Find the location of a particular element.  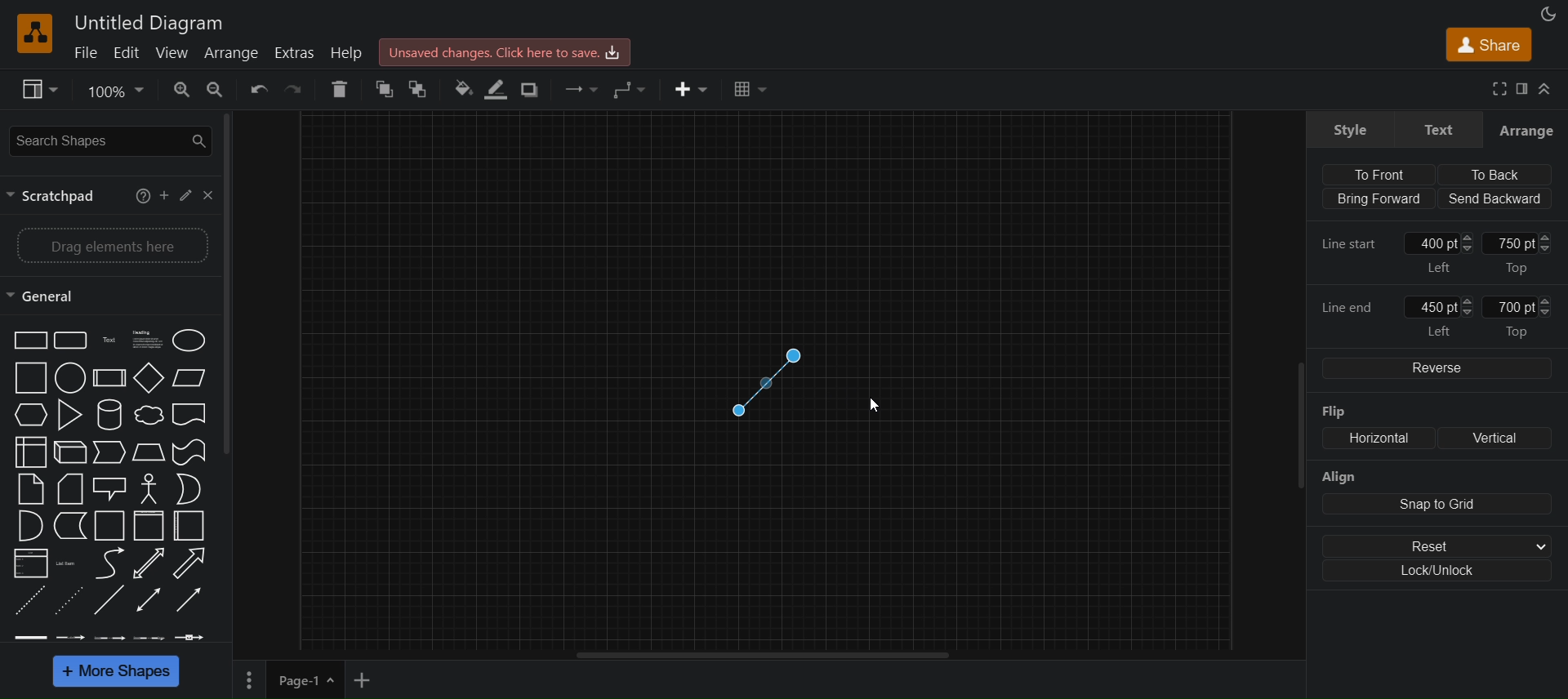

cursor is located at coordinates (875, 405).